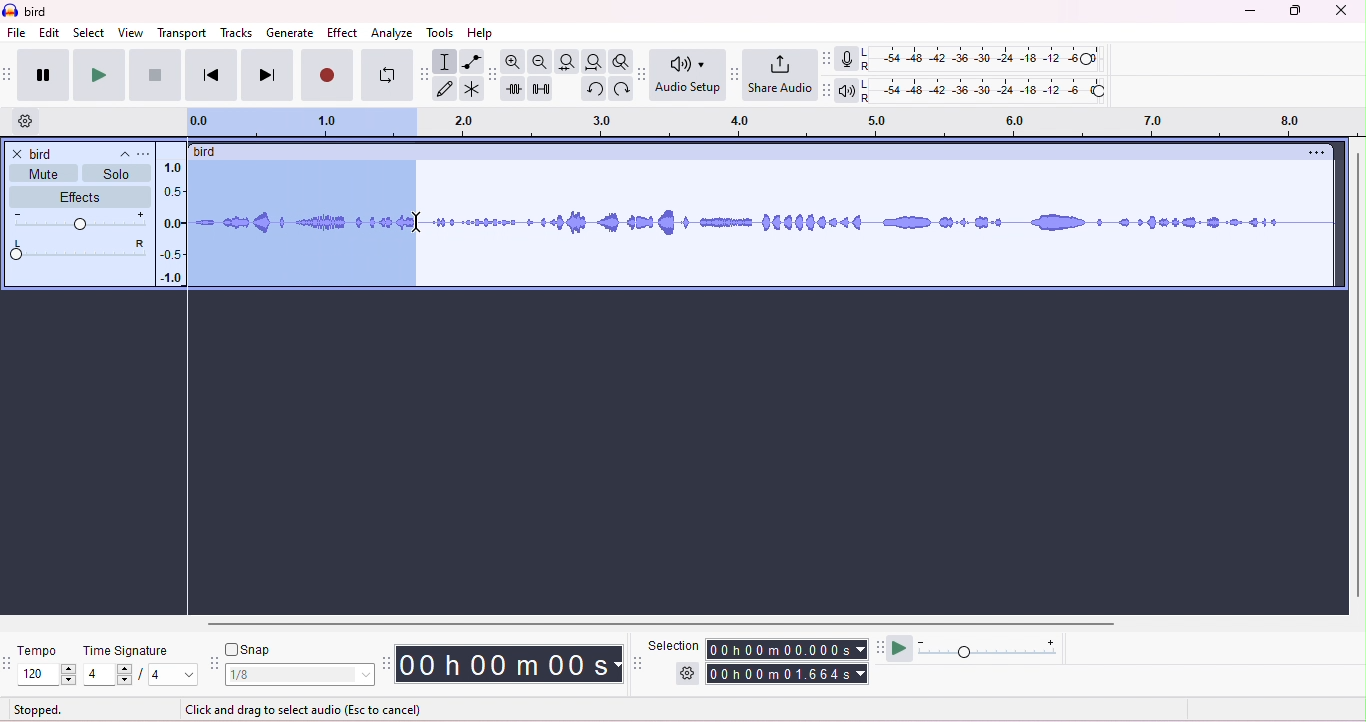  I want to click on redo, so click(624, 90).